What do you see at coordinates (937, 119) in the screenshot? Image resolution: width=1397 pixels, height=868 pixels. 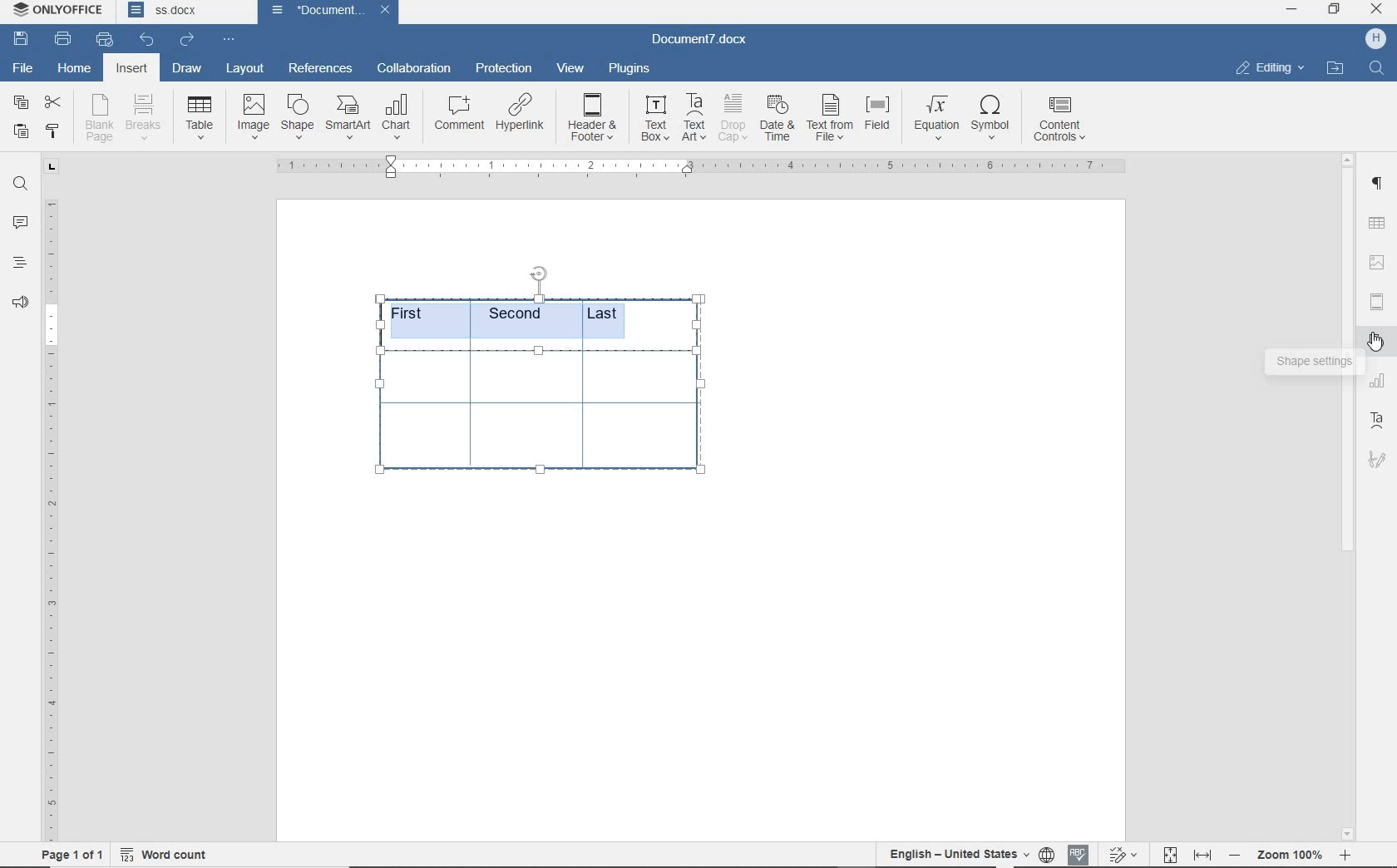 I see `equation` at bounding box center [937, 119].